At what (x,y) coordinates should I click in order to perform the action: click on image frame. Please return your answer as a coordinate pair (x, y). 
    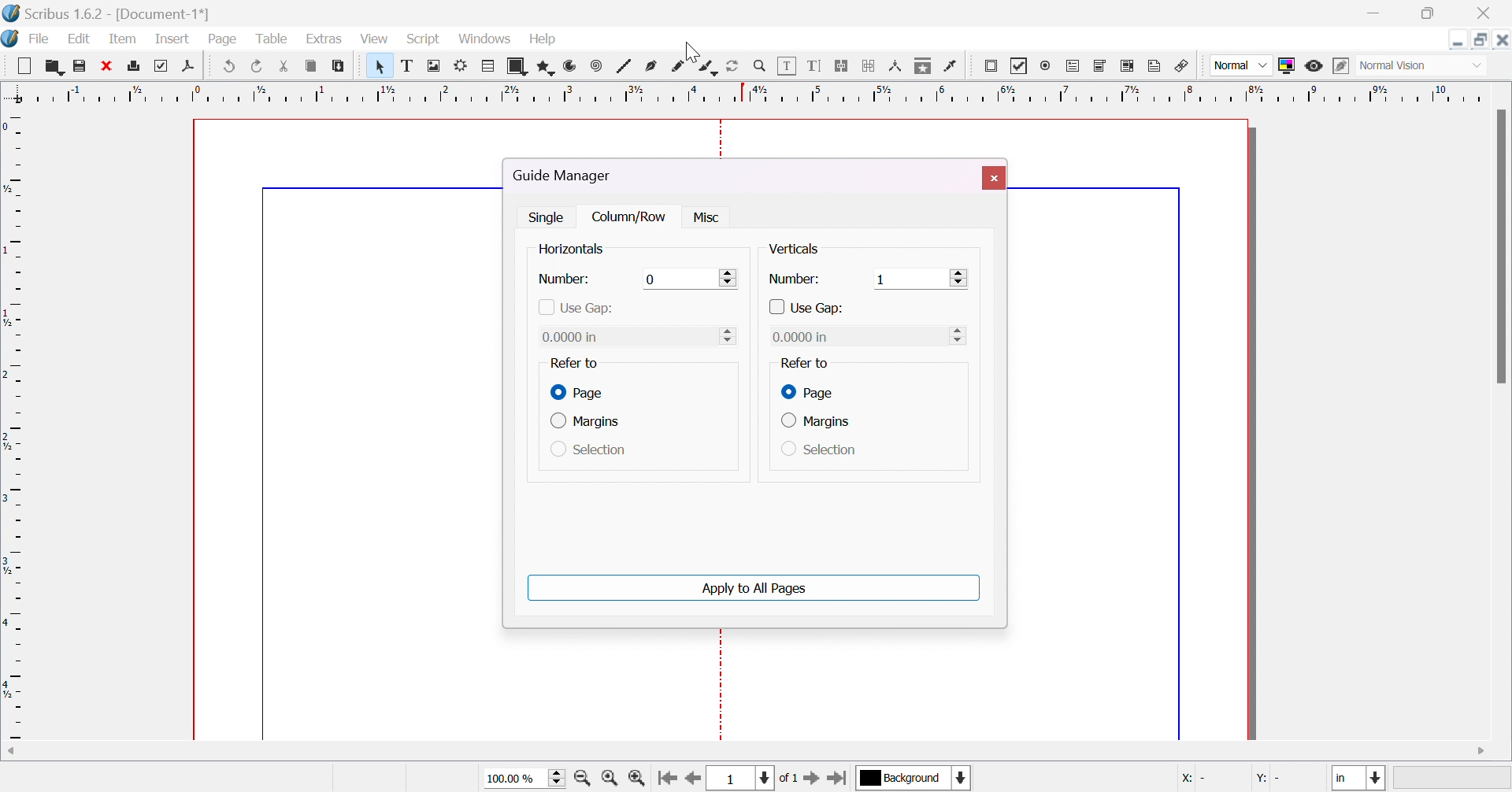
    Looking at the image, I should click on (437, 67).